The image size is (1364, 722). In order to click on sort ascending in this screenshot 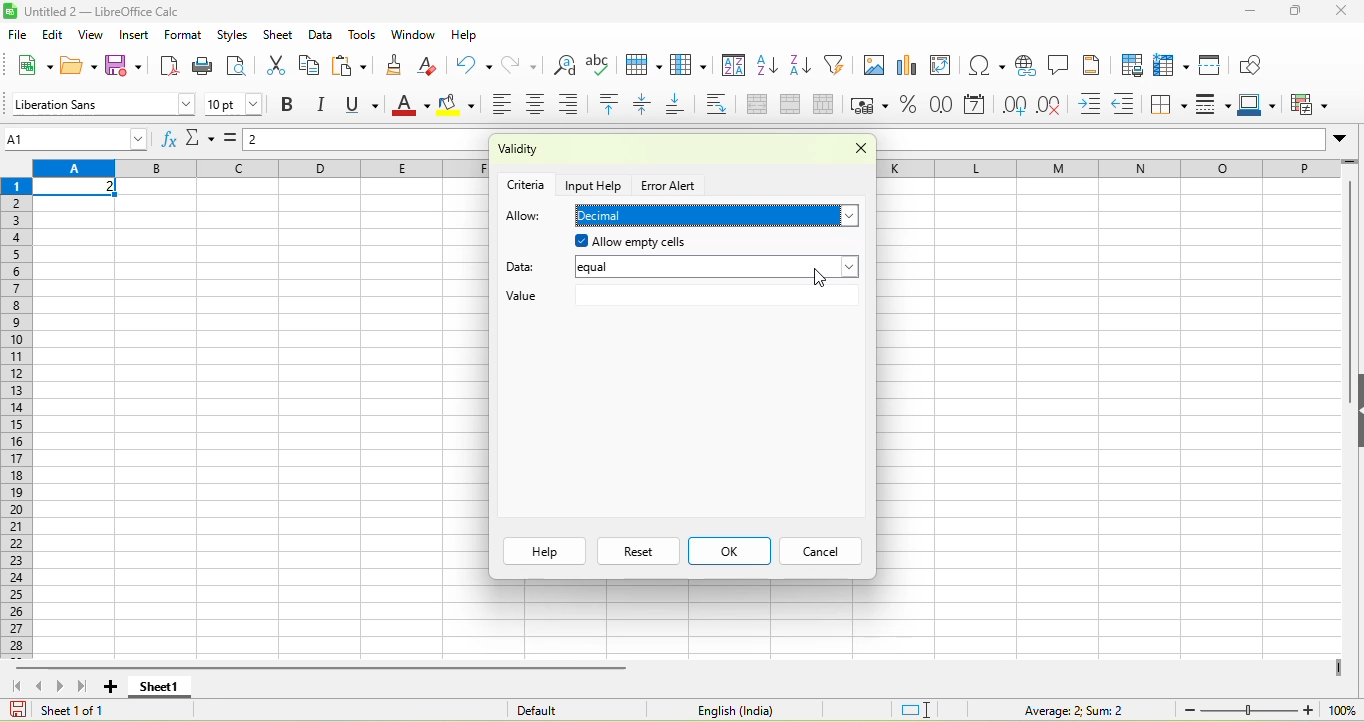, I will do `click(769, 67)`.